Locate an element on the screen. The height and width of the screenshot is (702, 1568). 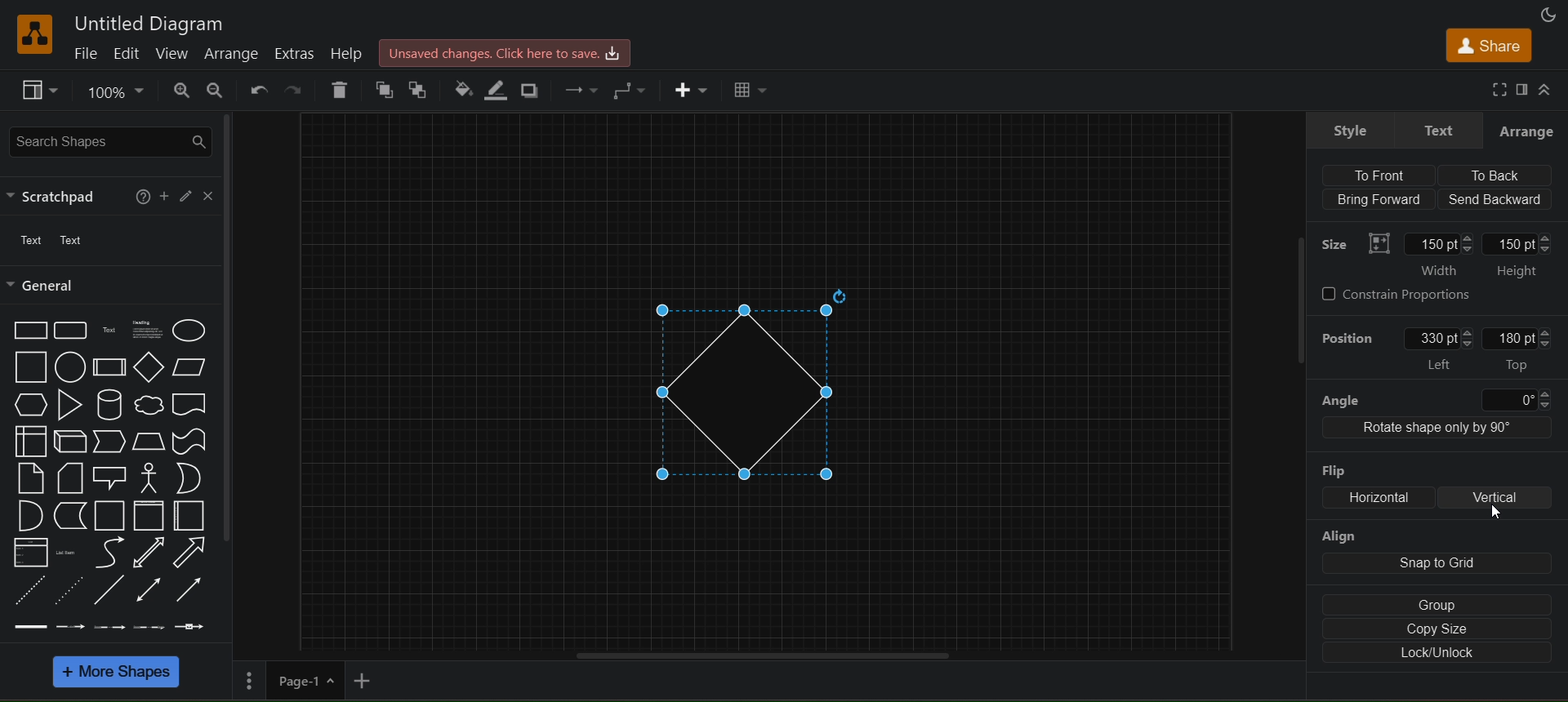
fill color is located at coordinates (461, 87).